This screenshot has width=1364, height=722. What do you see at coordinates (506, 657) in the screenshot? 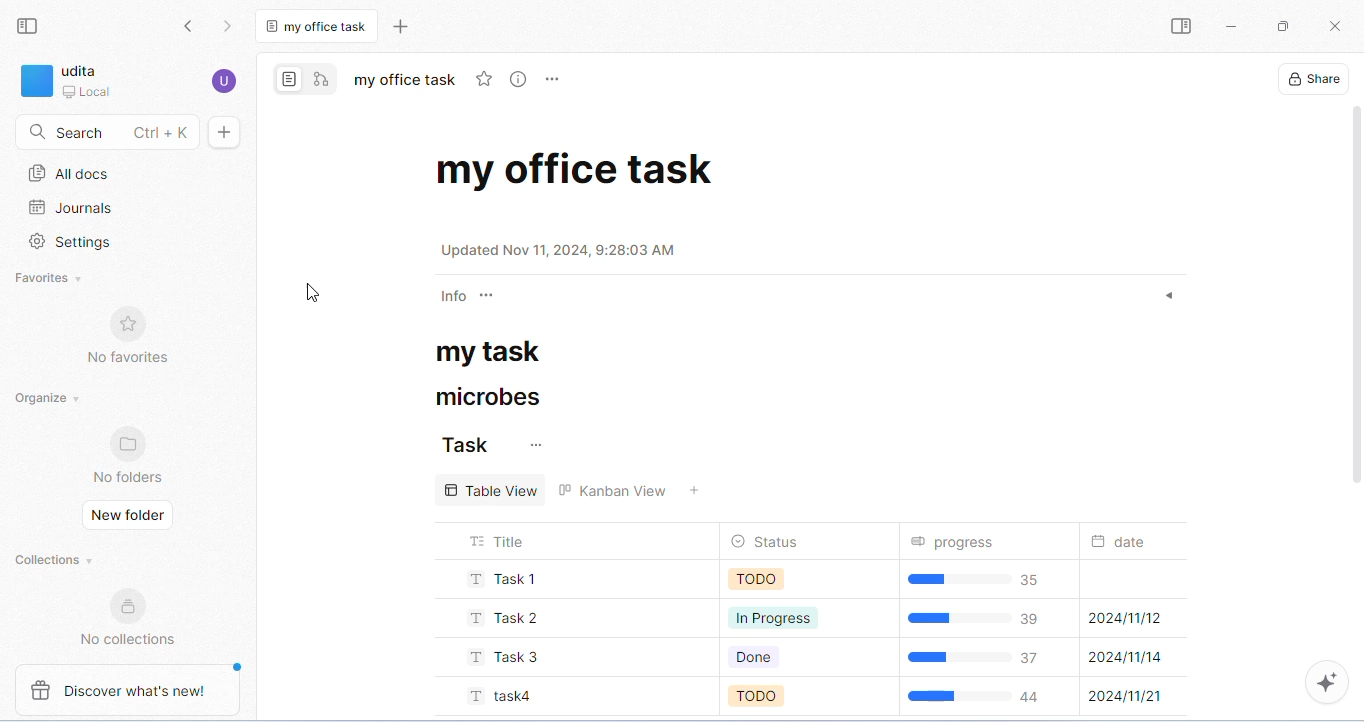
I see `task3` at bounding box center [506, 657].